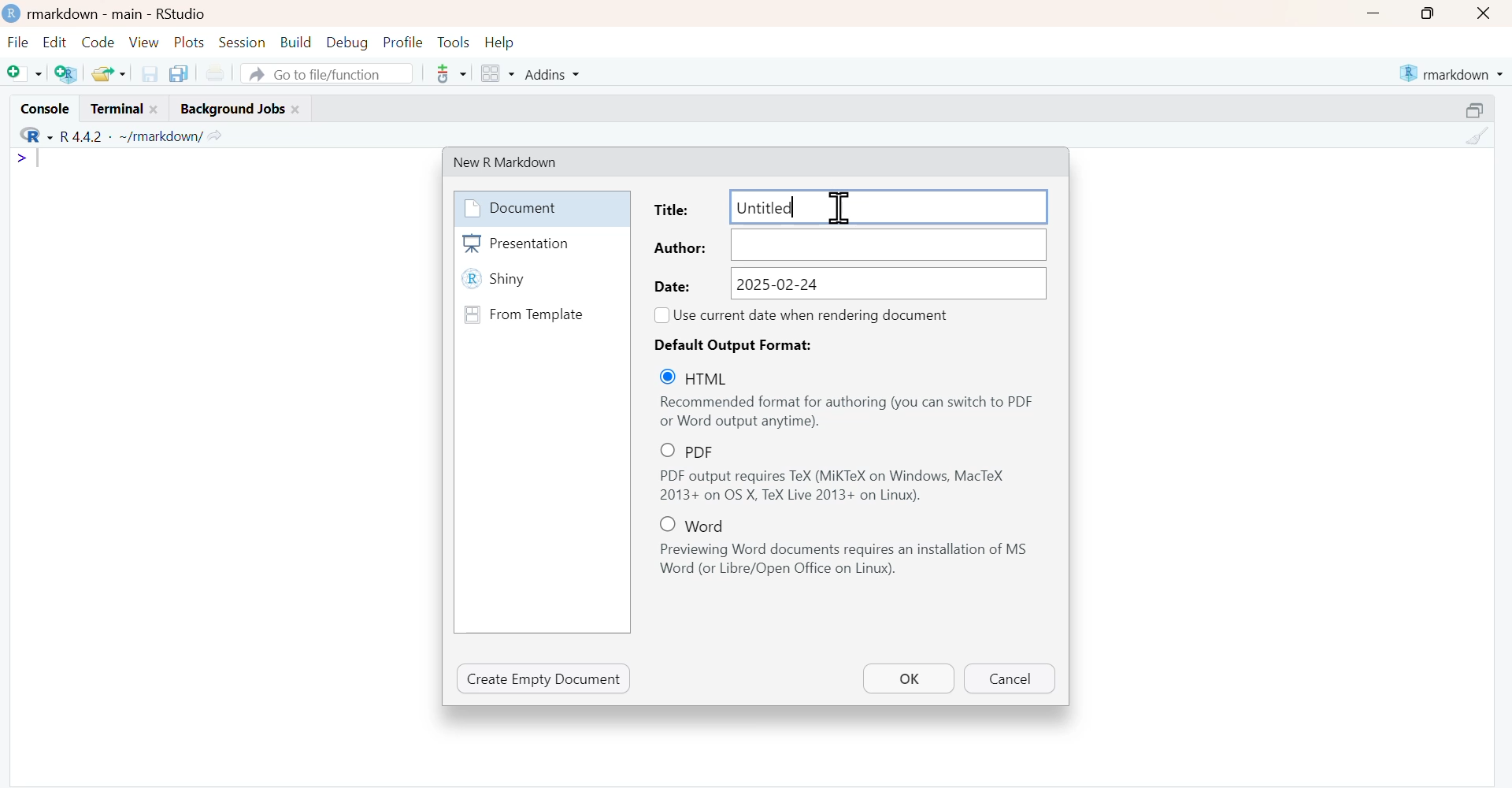 Image resolution: width=1512 pixels, height=788 pixels. I want to click on Help, so click(500, 43).